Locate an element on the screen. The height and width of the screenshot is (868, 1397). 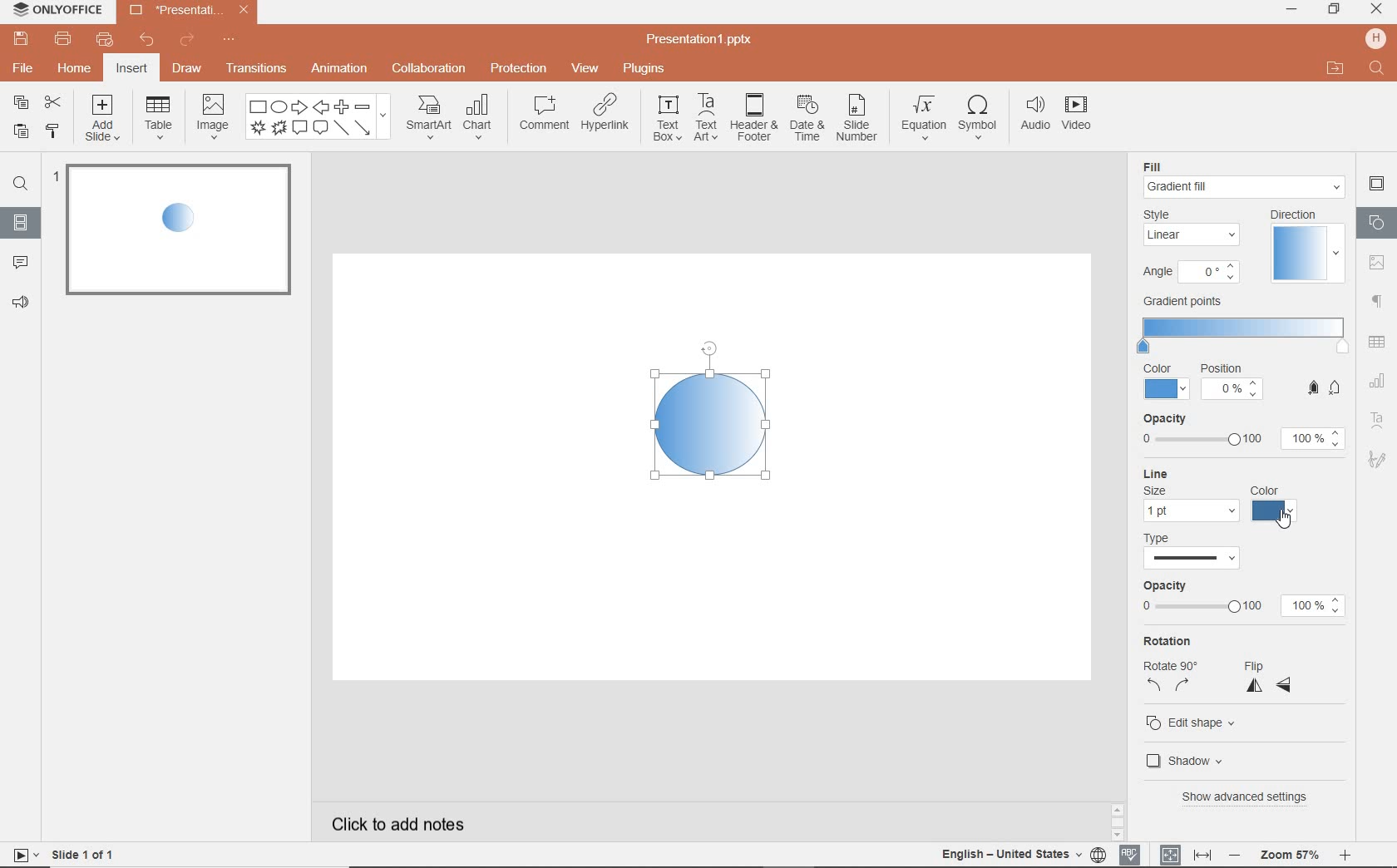
slides is located at coordinates (21, 225).